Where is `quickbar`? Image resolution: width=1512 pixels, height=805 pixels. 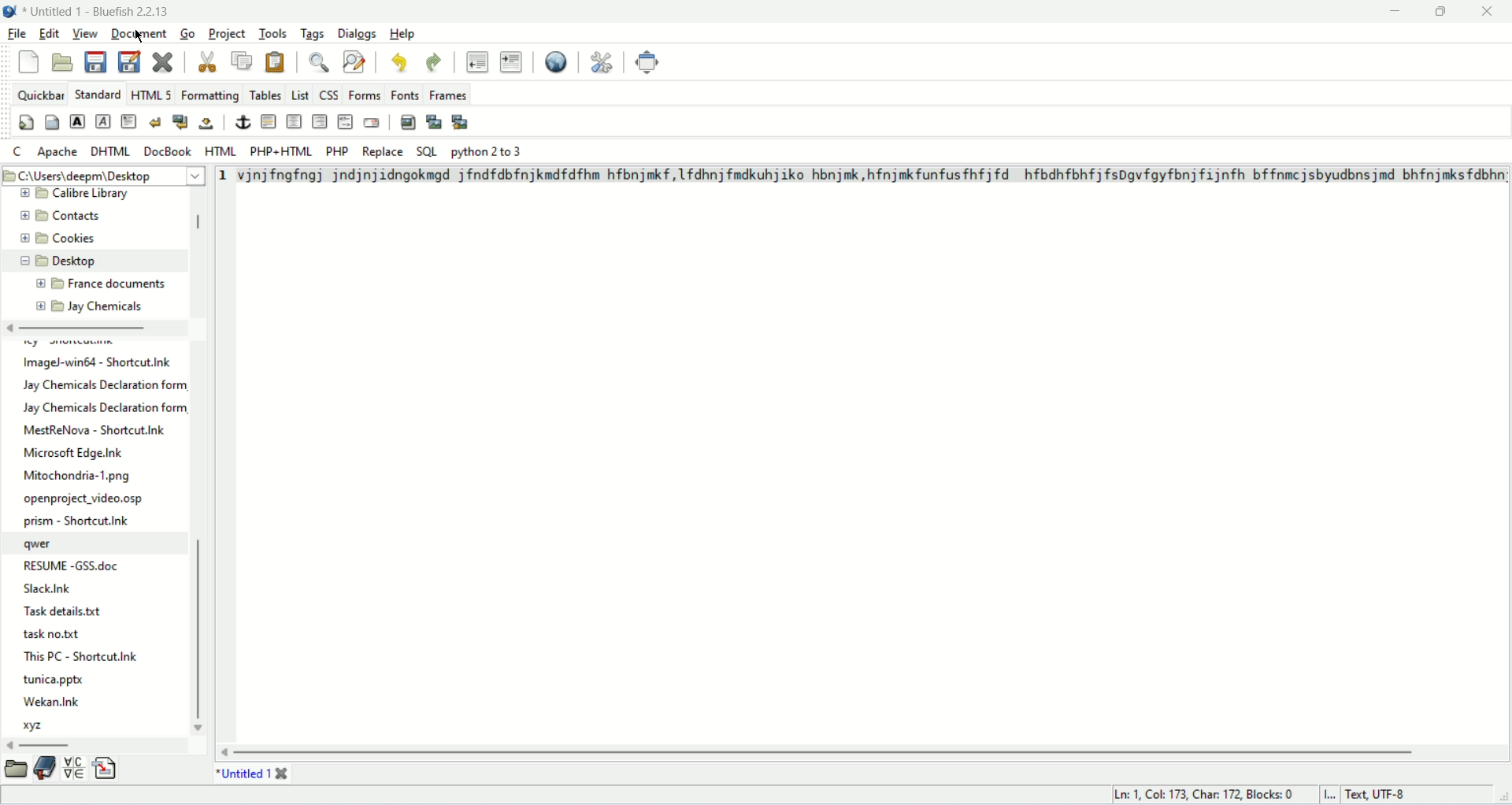
quickbar is located at coordinates (41, 94).